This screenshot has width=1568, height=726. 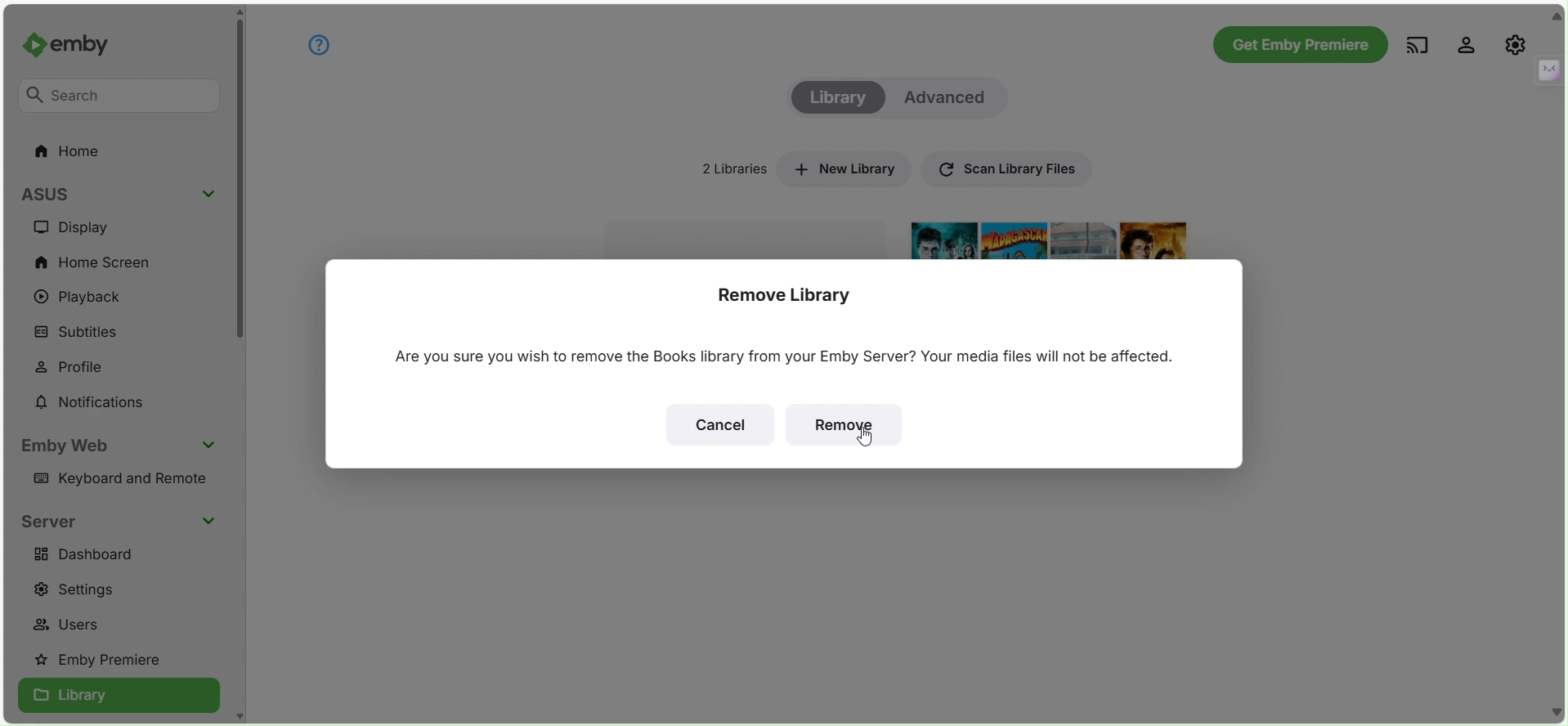 I want to click on collapse, so click(x=1548, y=69).